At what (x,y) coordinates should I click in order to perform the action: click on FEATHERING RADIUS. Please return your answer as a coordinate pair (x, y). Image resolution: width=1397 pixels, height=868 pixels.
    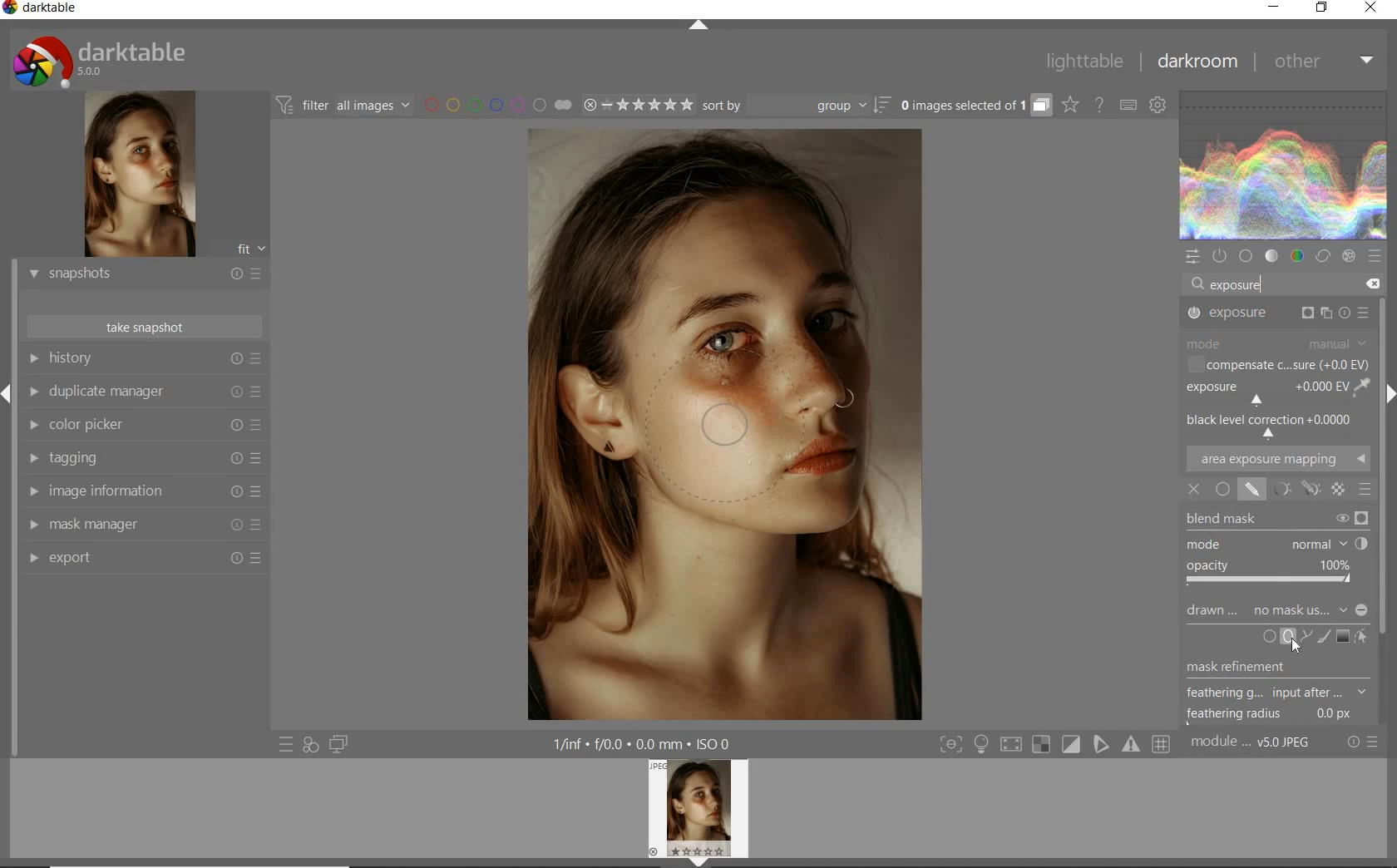
    Looking at the image, I should click on (1275, 714).